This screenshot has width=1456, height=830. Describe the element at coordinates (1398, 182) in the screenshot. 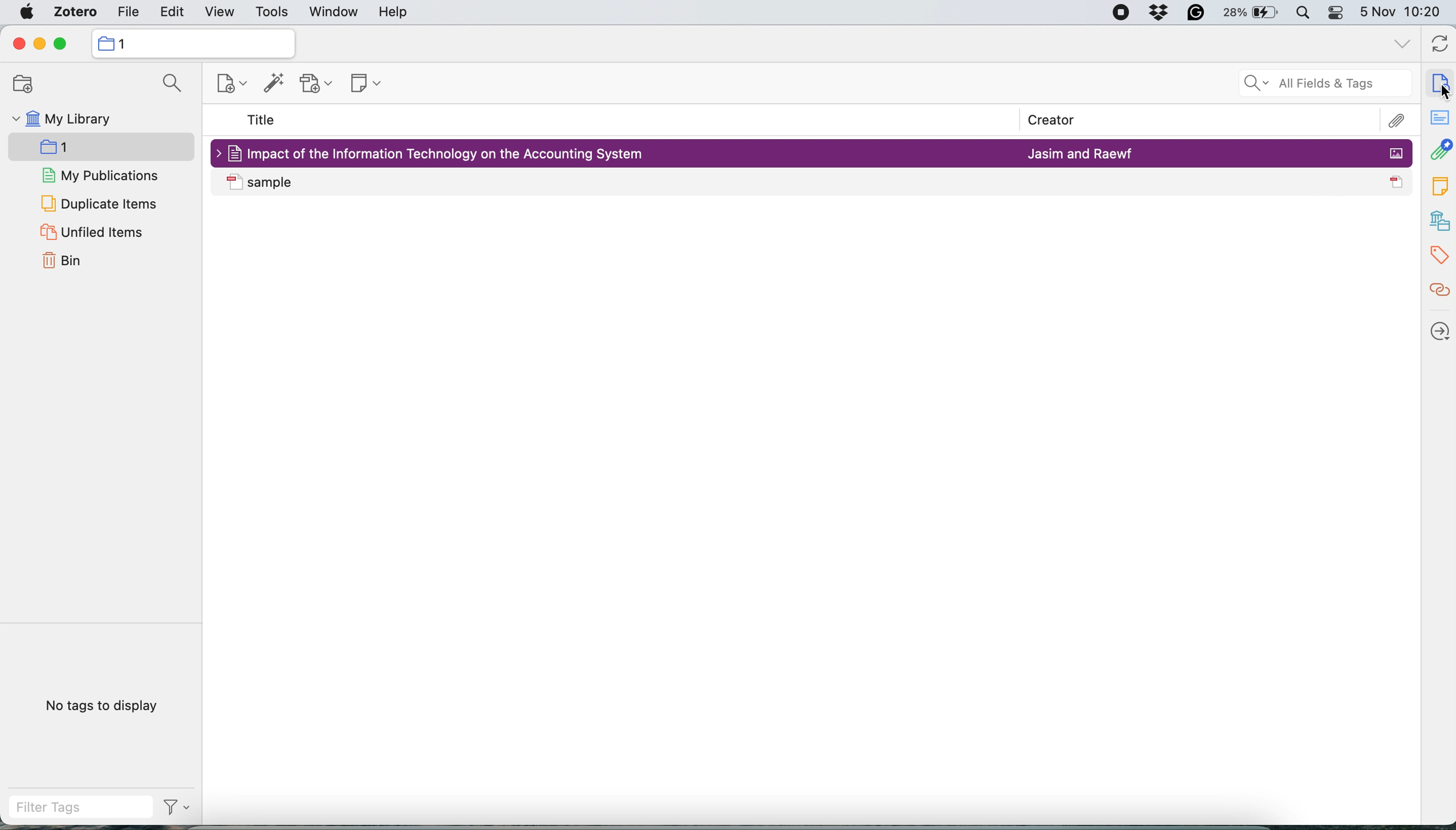

I see `icon` at that location.